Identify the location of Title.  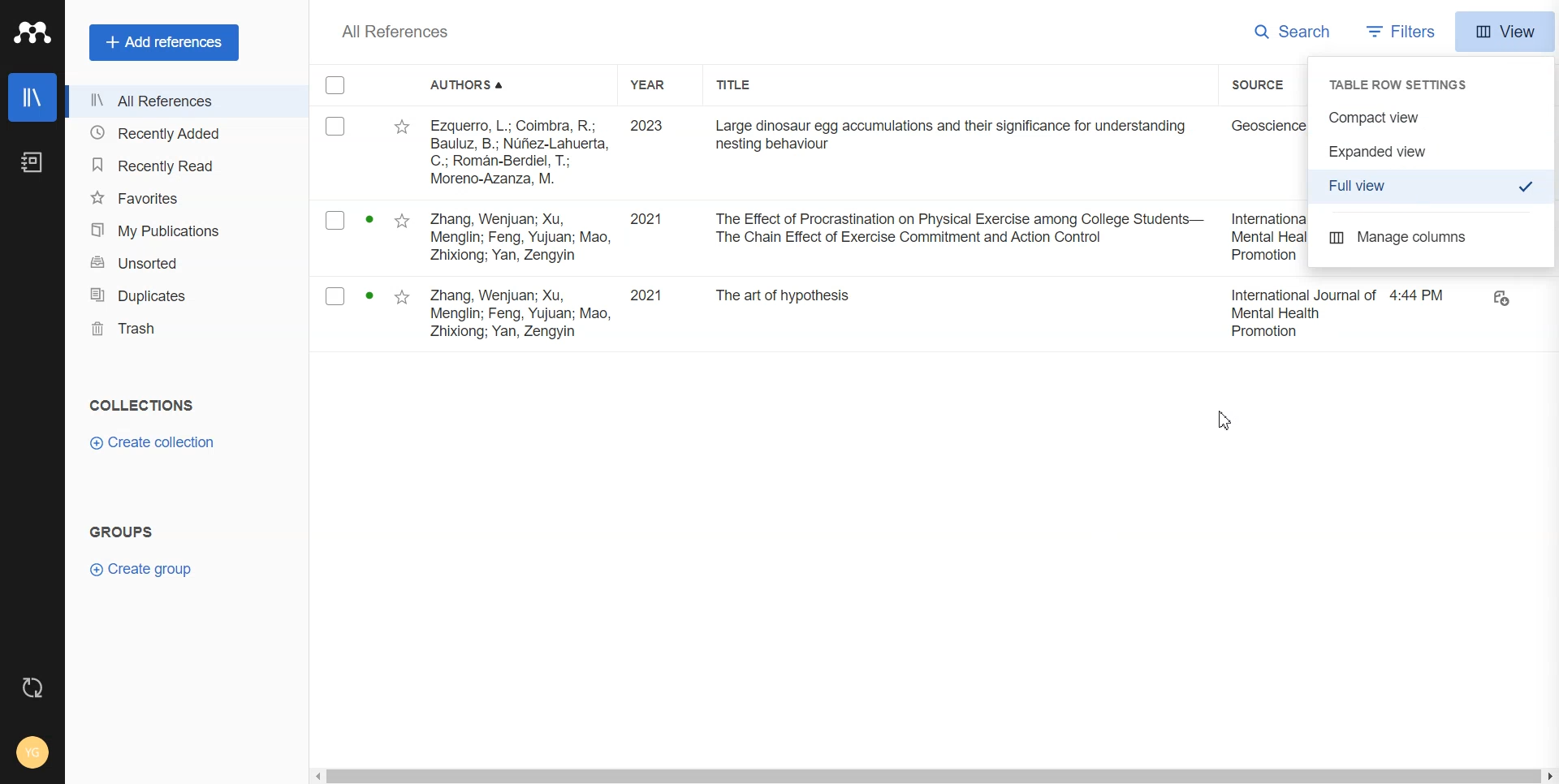
(748, 85).